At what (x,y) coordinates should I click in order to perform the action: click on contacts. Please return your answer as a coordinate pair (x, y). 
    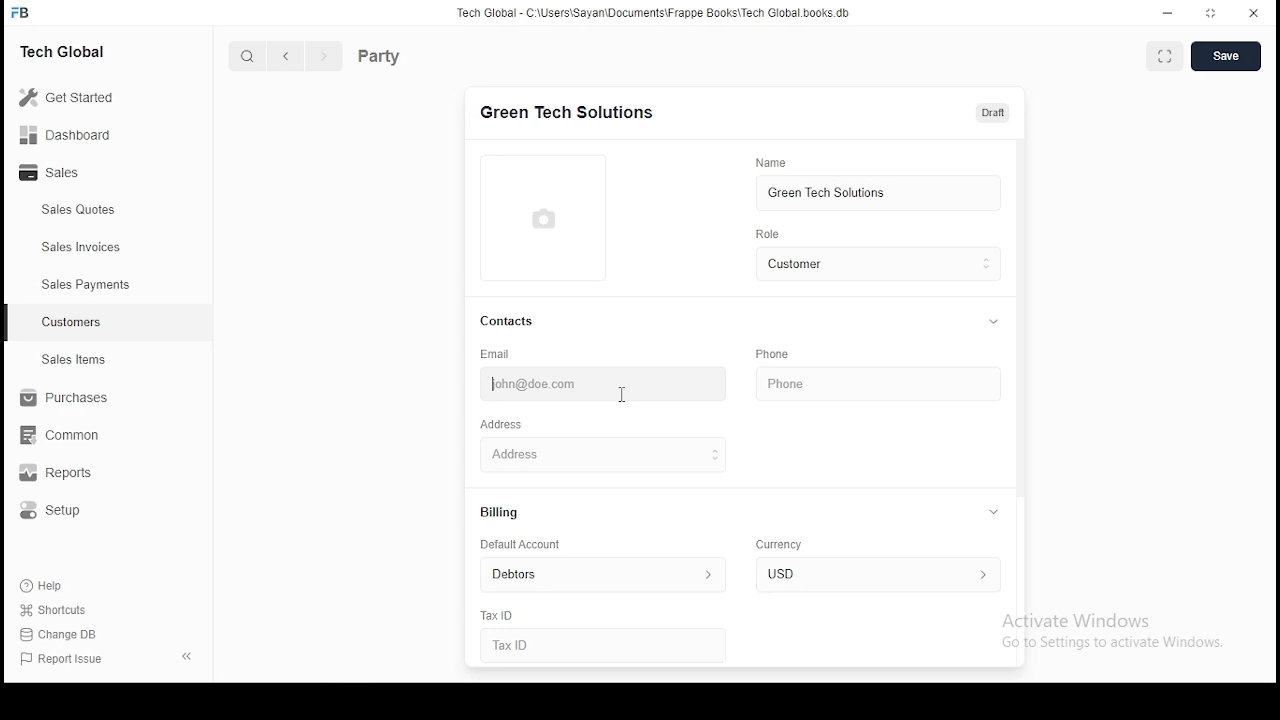
    Looking at the image, I should click on (508, 322).